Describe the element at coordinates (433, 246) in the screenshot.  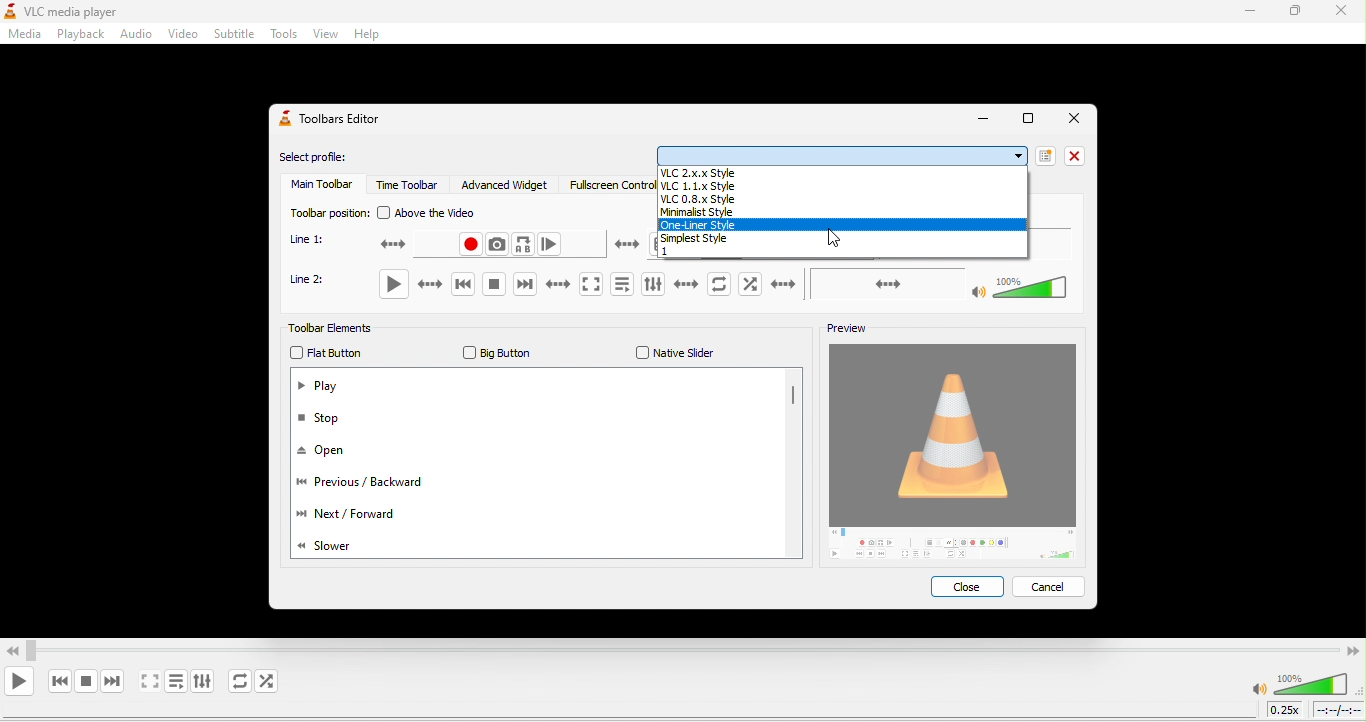
I see `record` at that location.